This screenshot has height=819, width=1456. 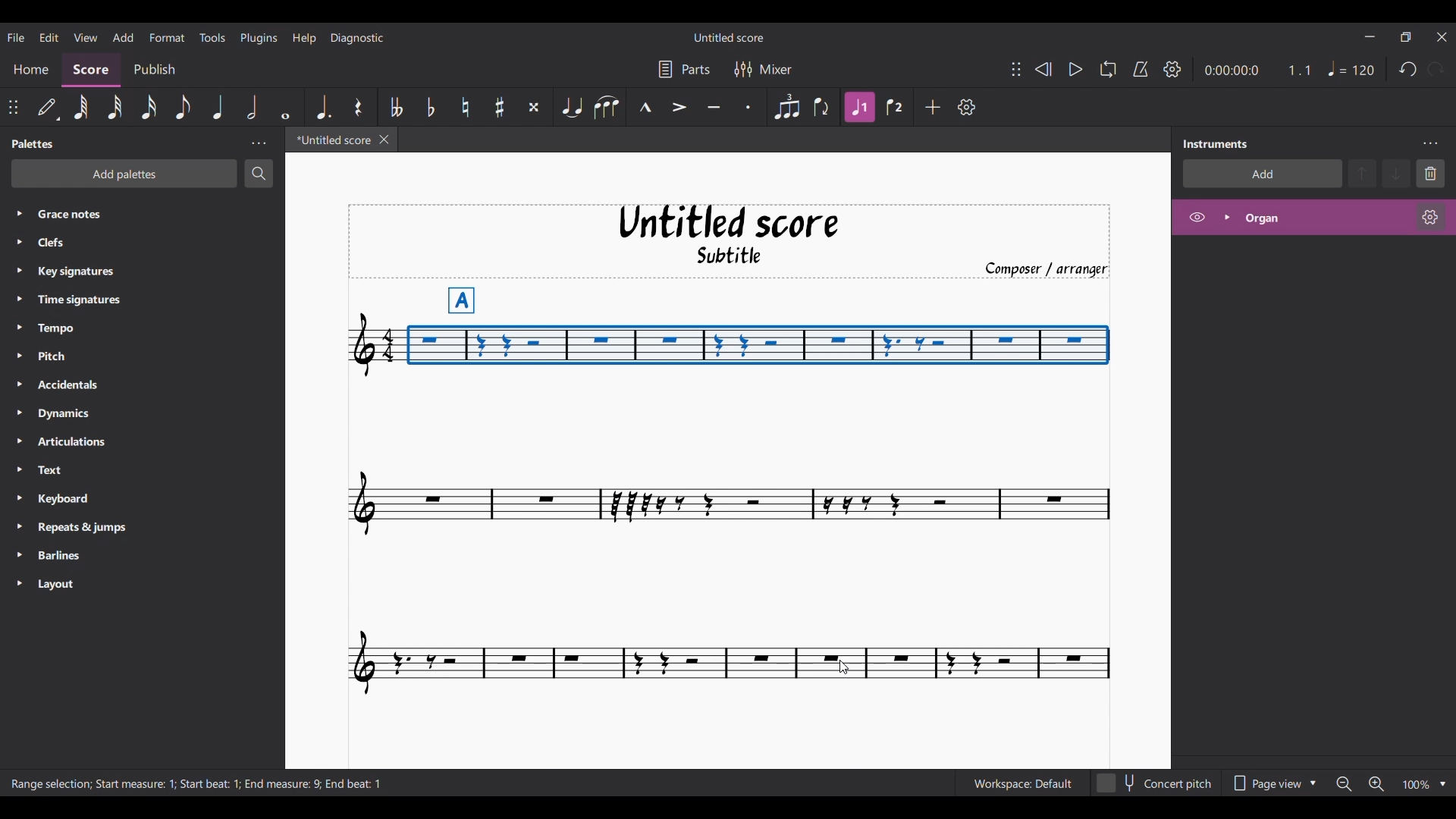 What do you see at coordinates (12, 106) in the screenshot?
I see `Change position of toolbar attached` at bounding box center [12, 106].